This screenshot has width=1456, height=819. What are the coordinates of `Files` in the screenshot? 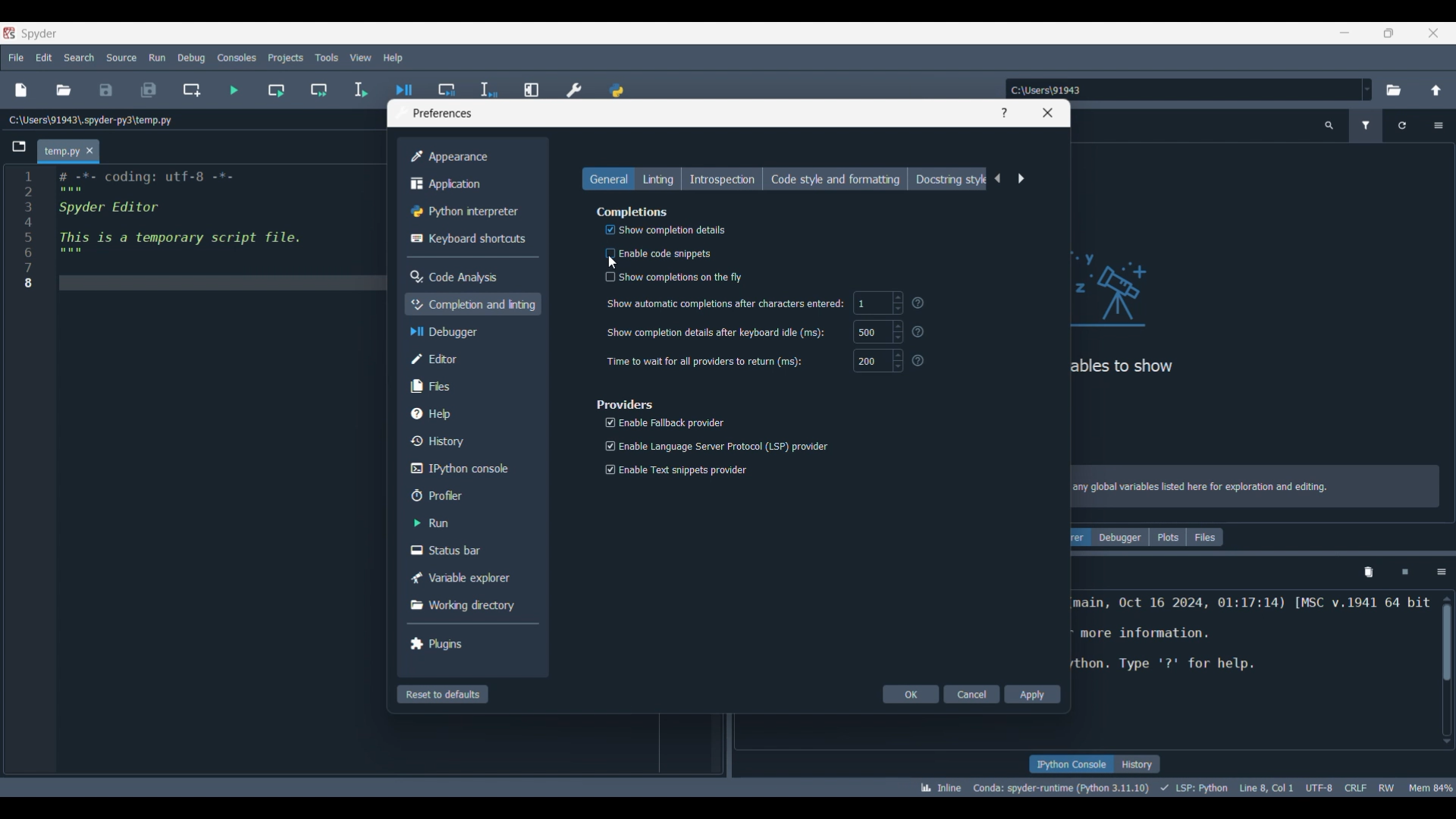 It's located at (470, 386).